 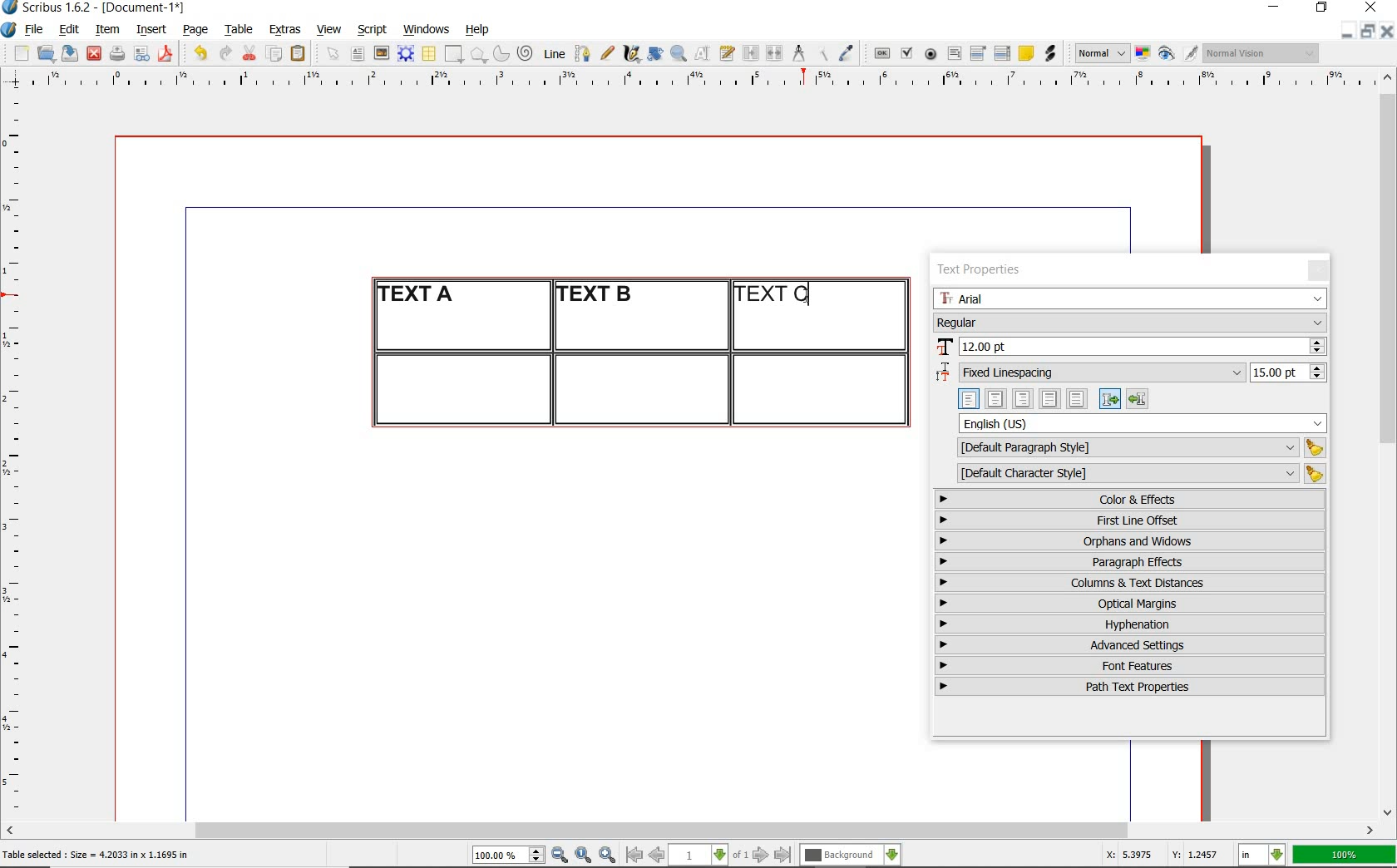 I want to click on visual appearance of the display, so click(x=1262, y=53).